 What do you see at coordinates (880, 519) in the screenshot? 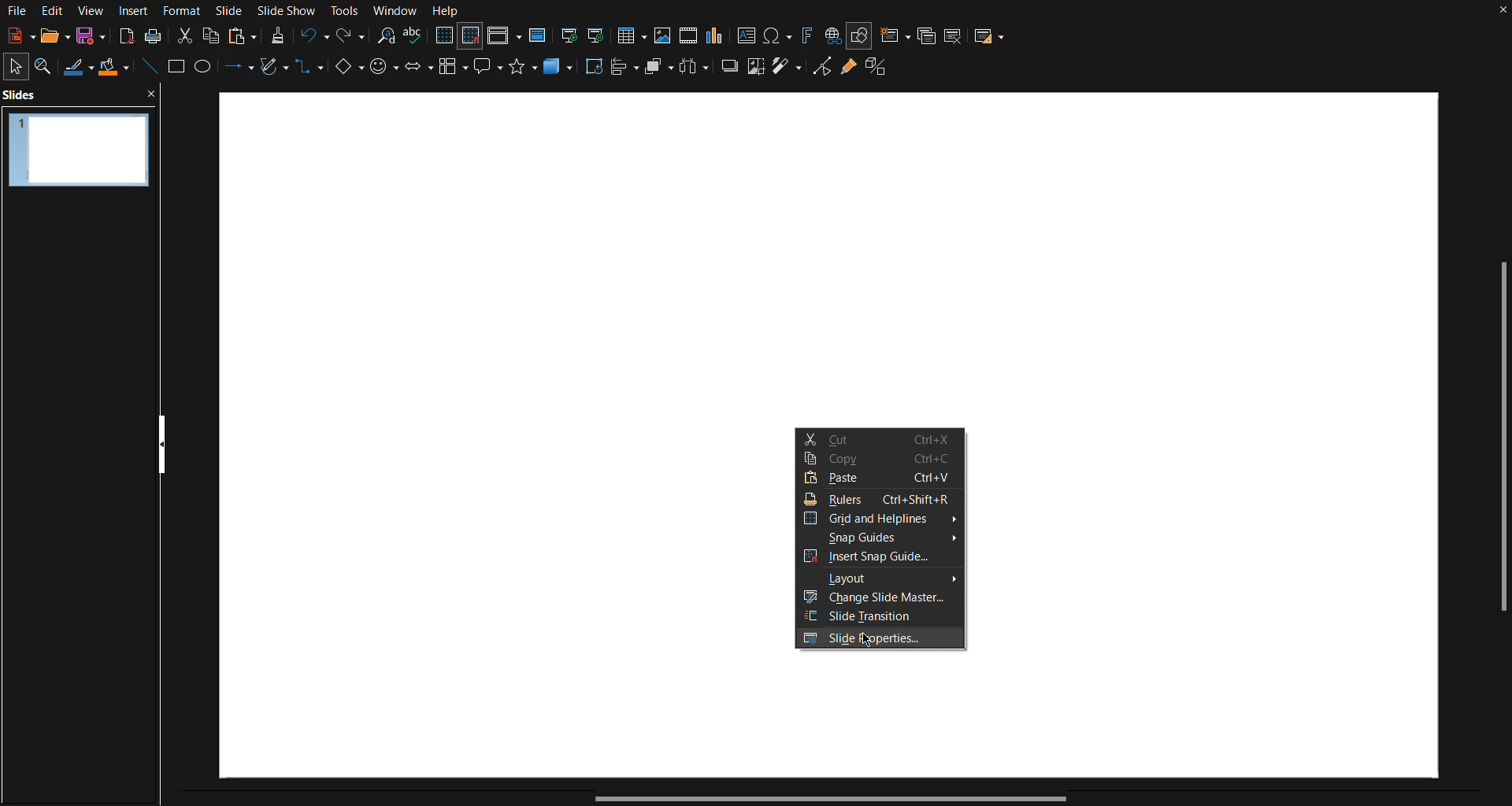
I see `Grid and Helplines` at bounding box center [880, 519].